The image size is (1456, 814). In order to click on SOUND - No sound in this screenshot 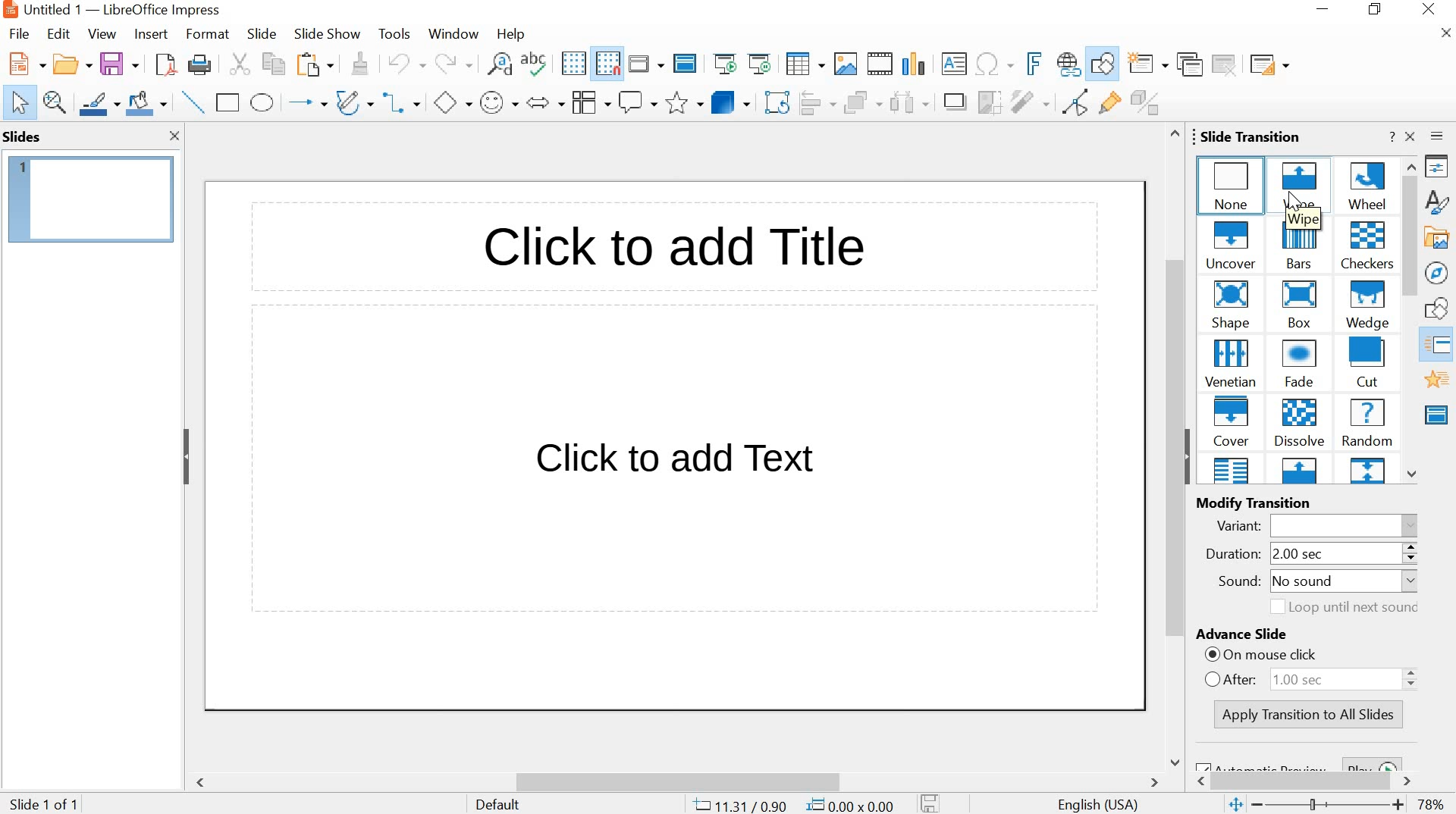, I will do `click(1311, 583)`.